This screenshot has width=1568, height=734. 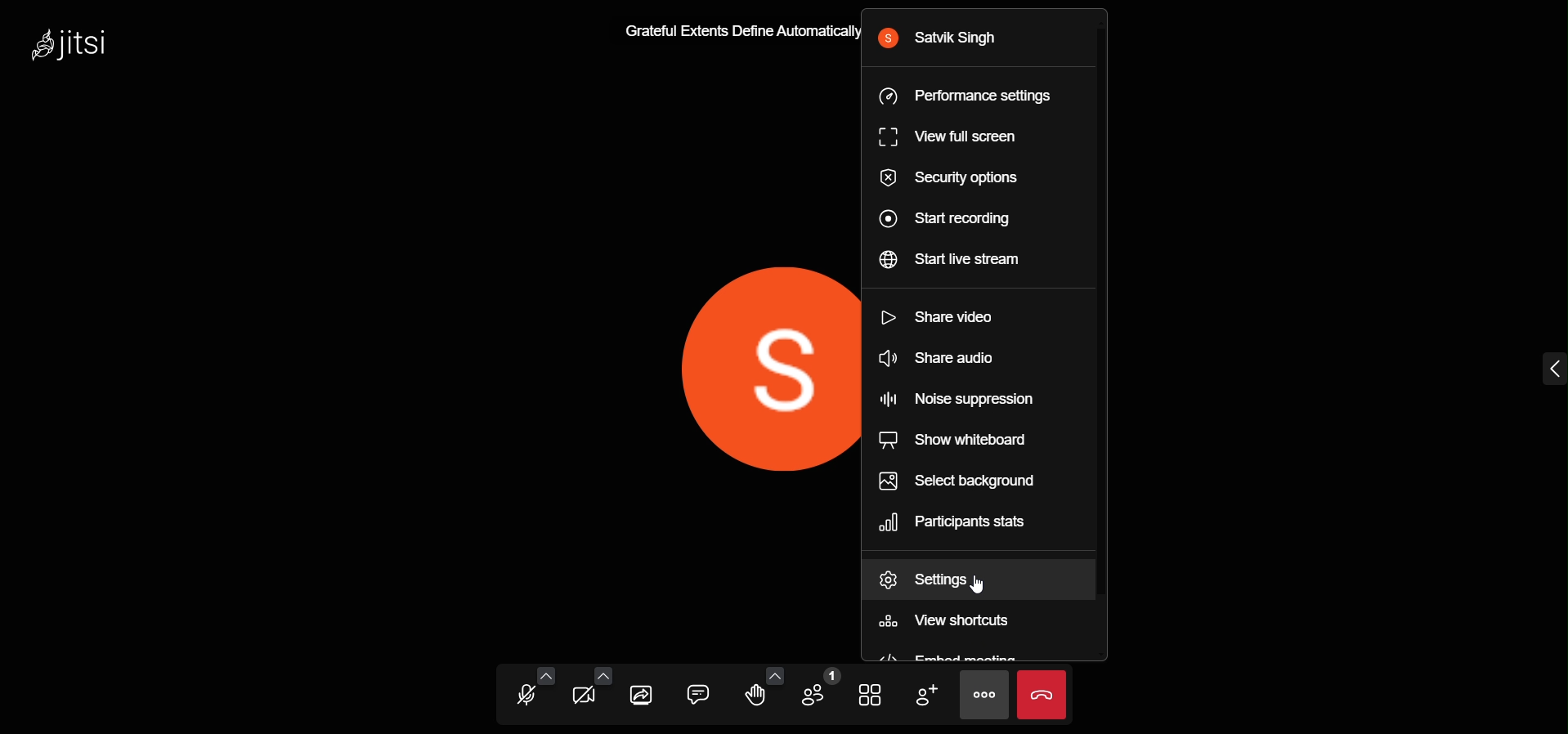 What do you see at coordinates (962, 264) in the screenshot?
I see `start the stream` at bounding box center [962, 264].